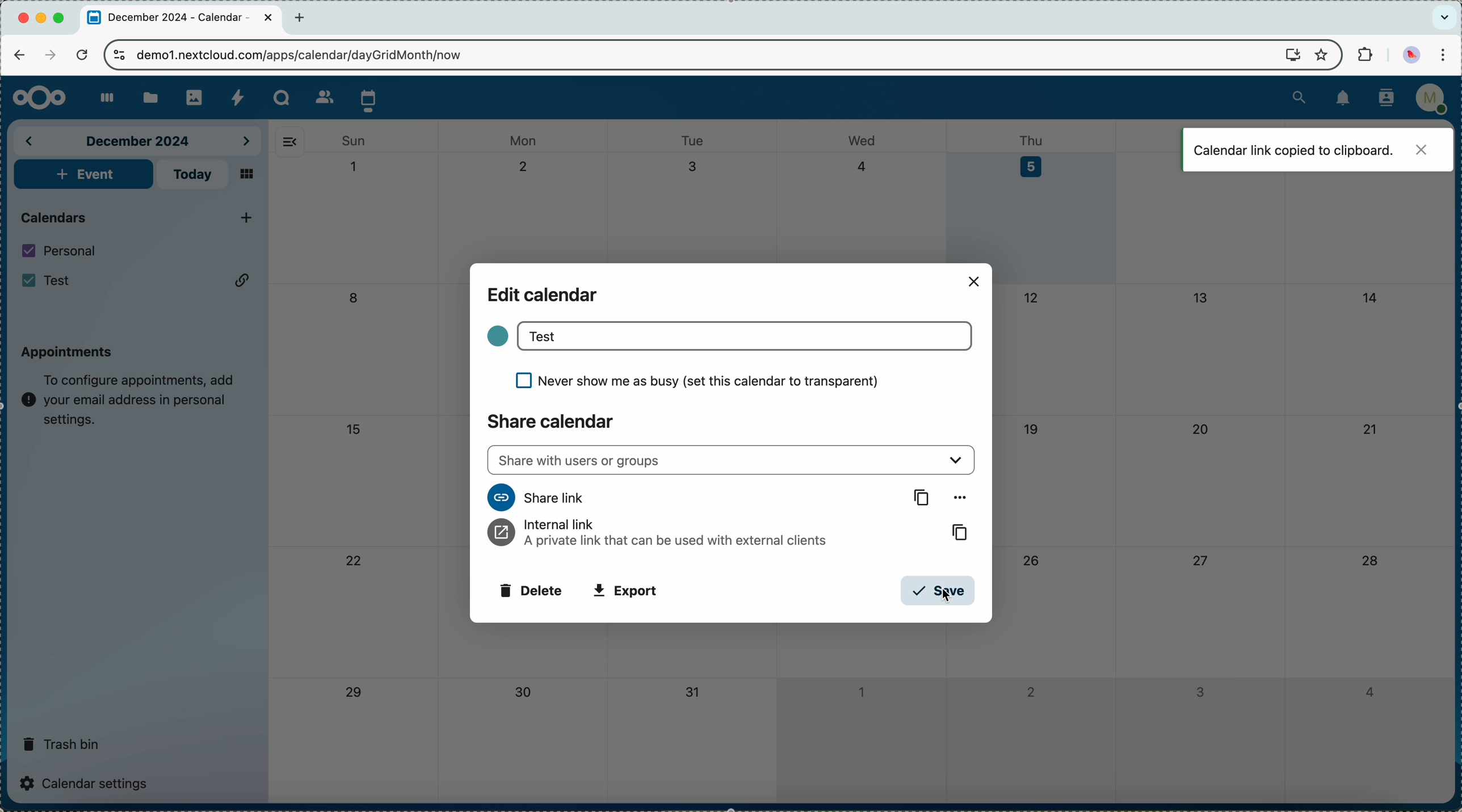 Image resolution: width=1462 pixels, height=812 pixels. Describe the element at coordinates (369, 99) in the screenshot. I see `click on calendar` at that location.